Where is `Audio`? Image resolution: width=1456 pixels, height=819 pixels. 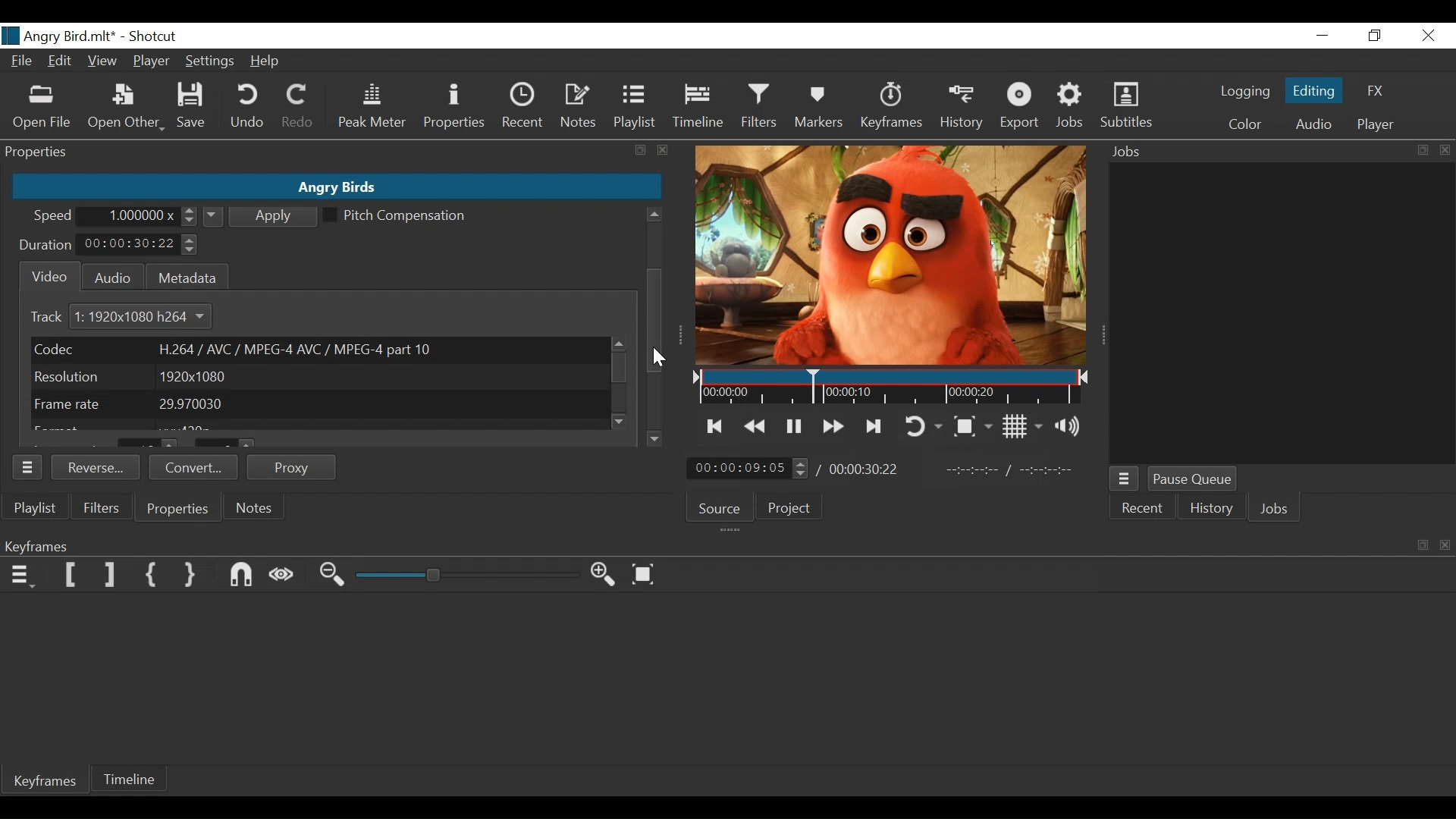 Audio is located at coordinates (1311, 124).